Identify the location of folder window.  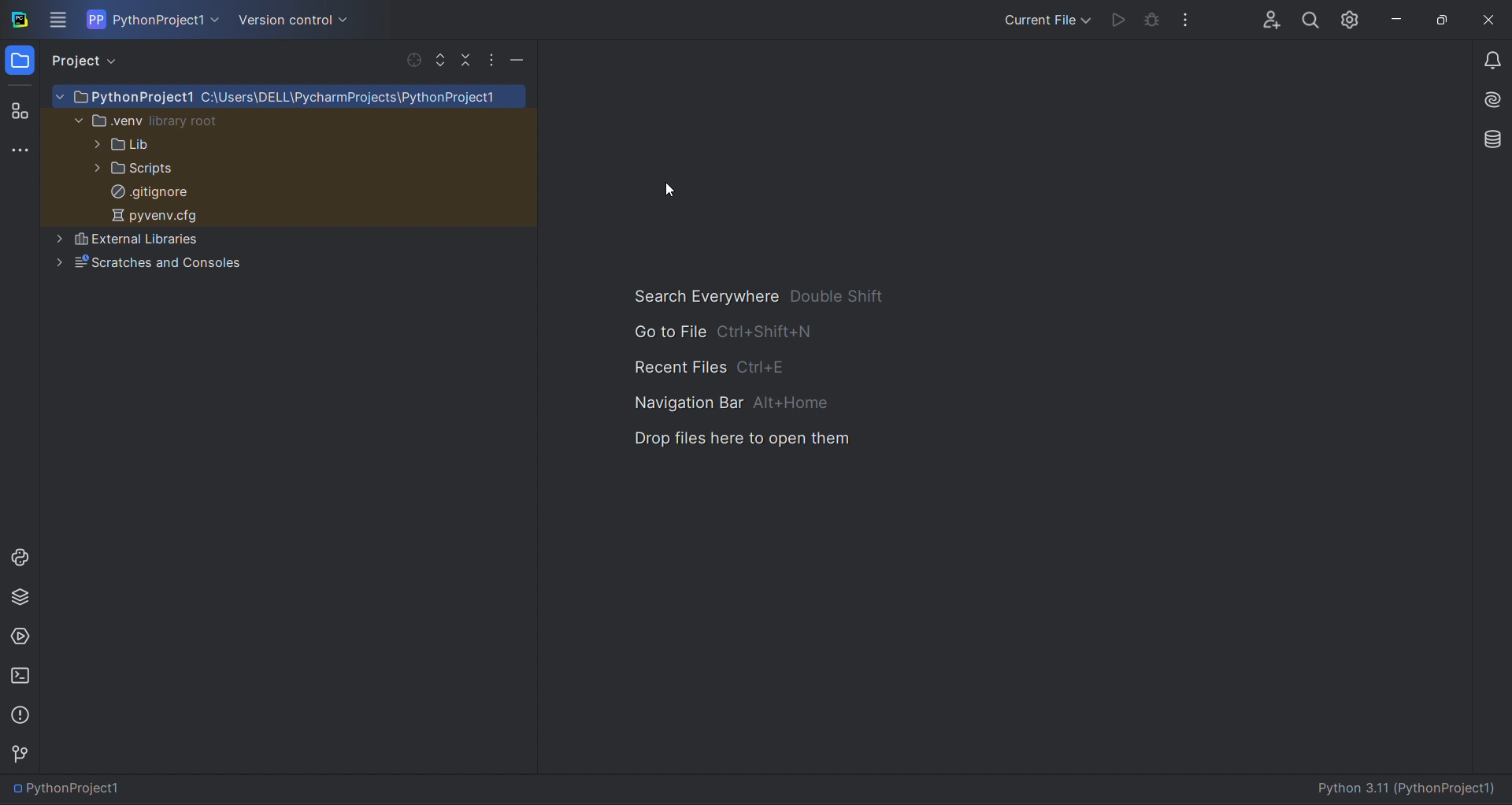
(24, 61).